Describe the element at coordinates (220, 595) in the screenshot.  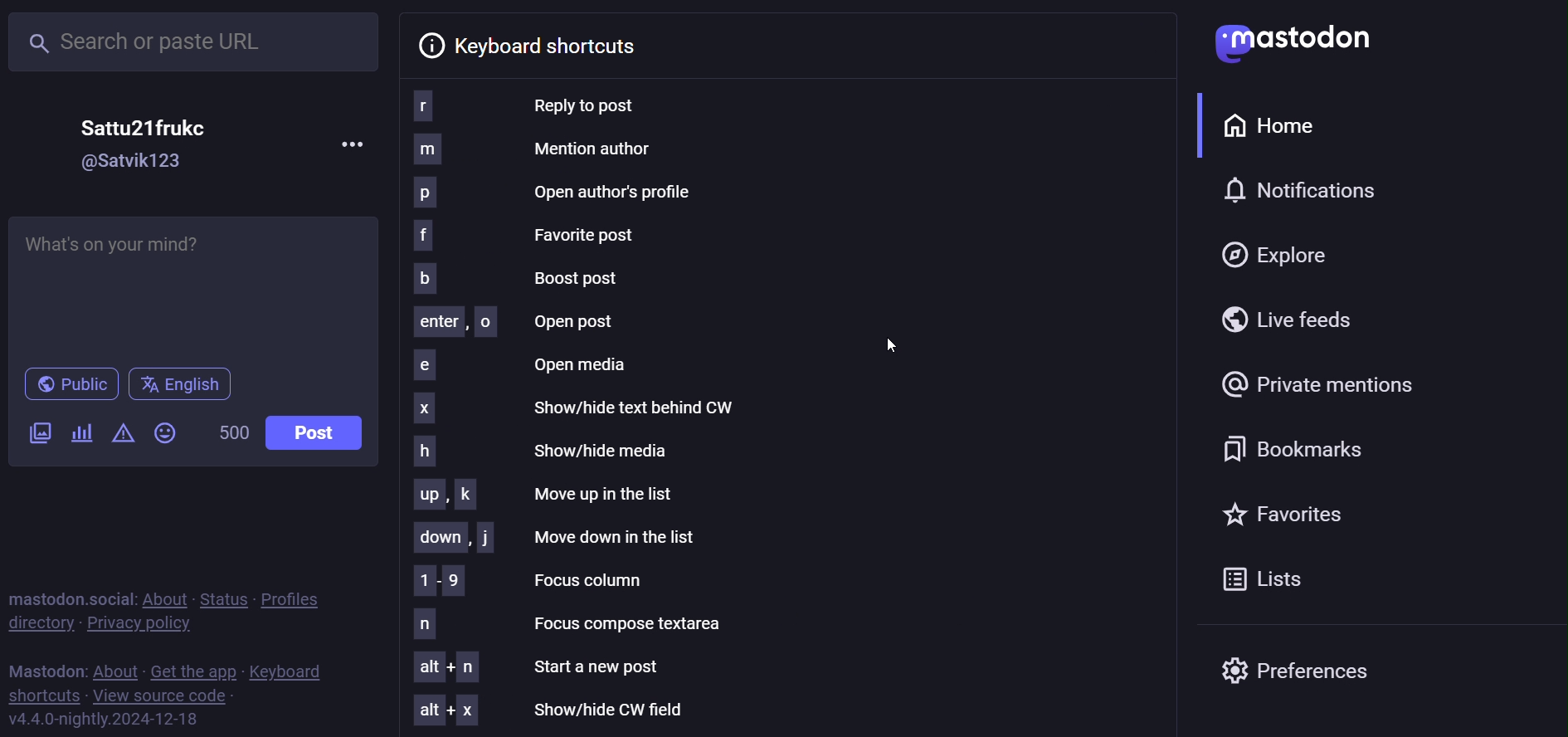
I see `status` at that location.